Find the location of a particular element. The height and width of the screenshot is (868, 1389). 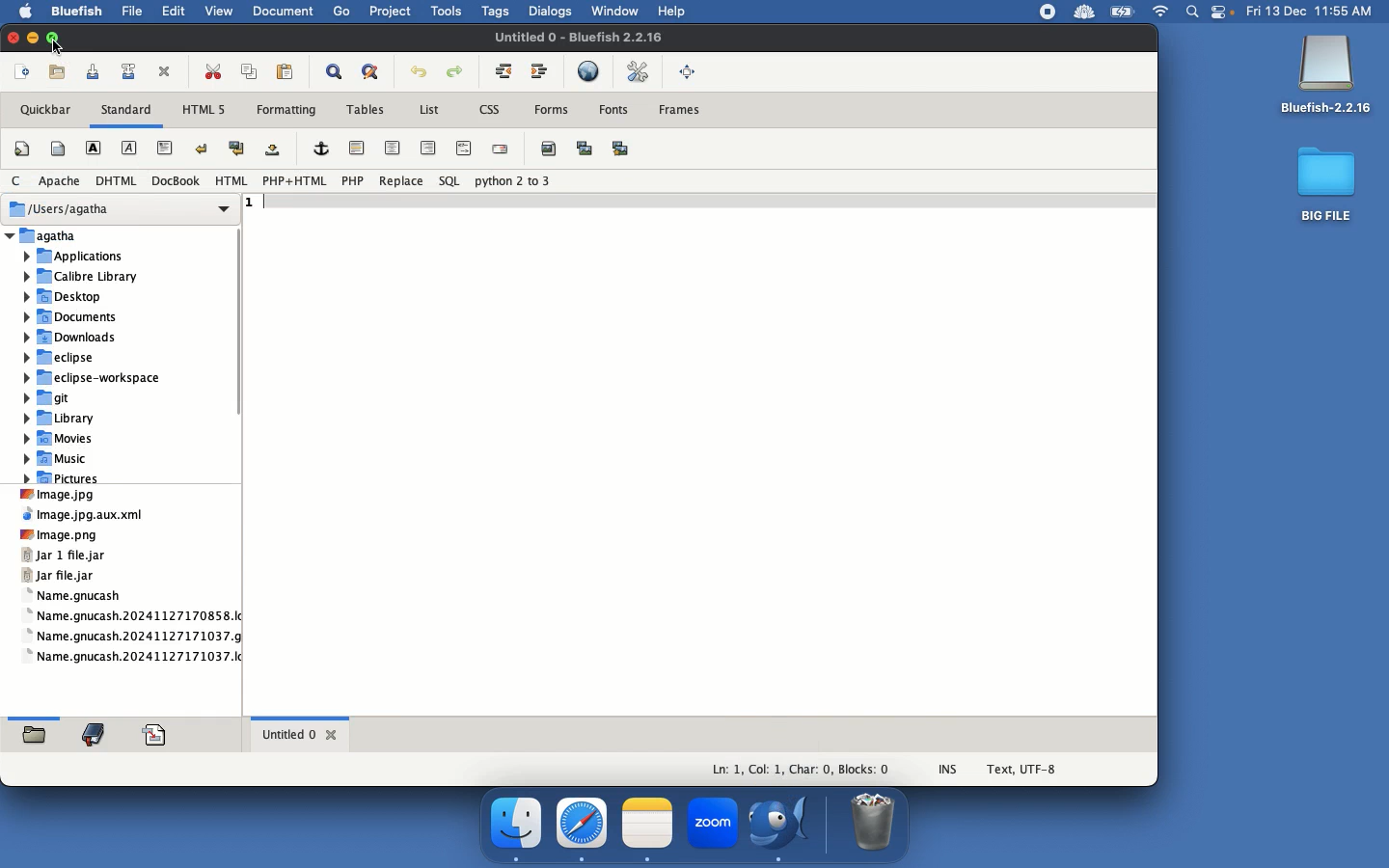

Paste is located at coordinates (287, 72).